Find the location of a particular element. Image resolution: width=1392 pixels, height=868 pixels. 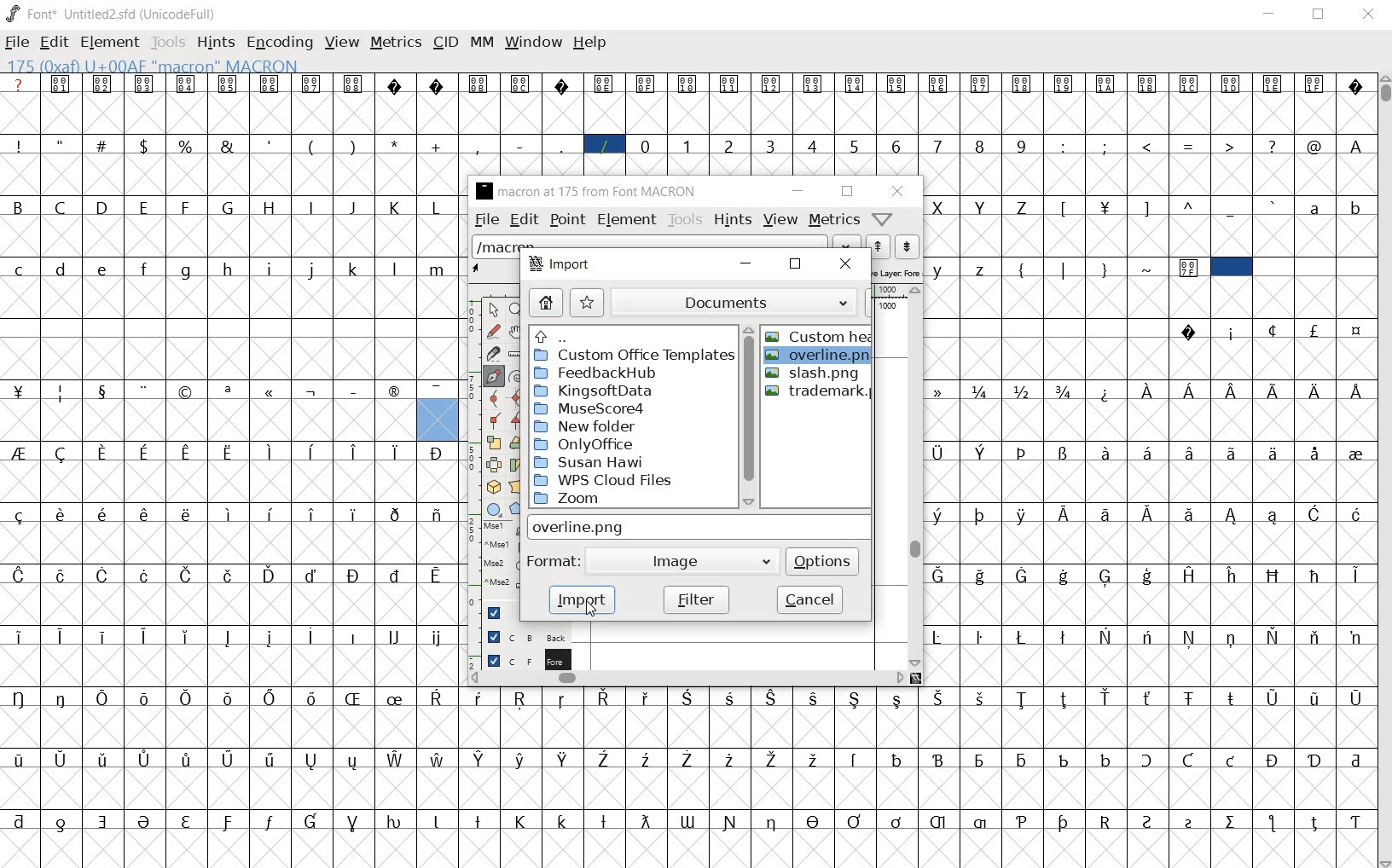

Symbol is located at coordinates (1147, 513).